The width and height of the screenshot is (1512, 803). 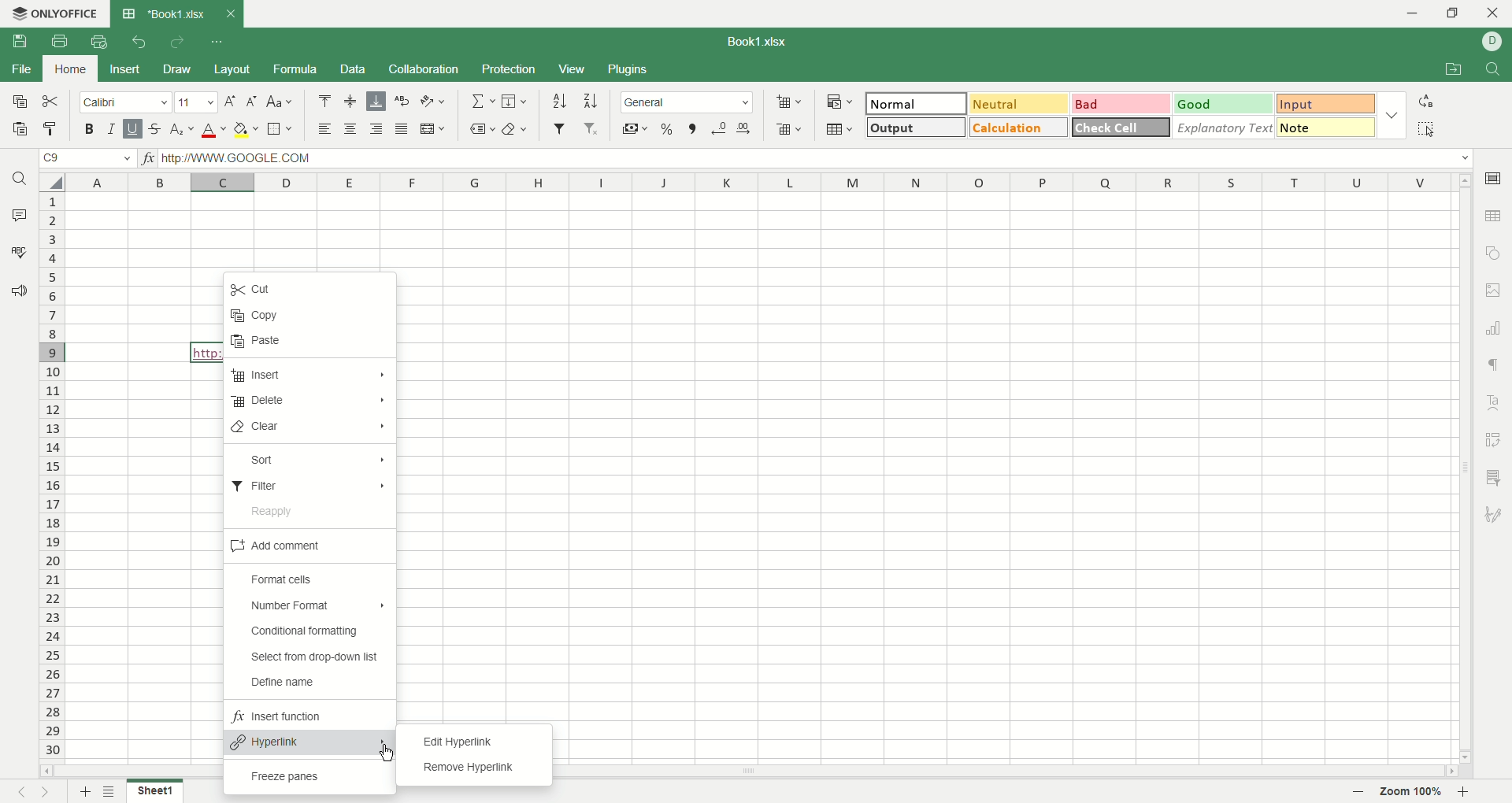 What do you see at coordinates (307, 427) in the screenshot?
I see `clear` at bounding box center [307, 427].